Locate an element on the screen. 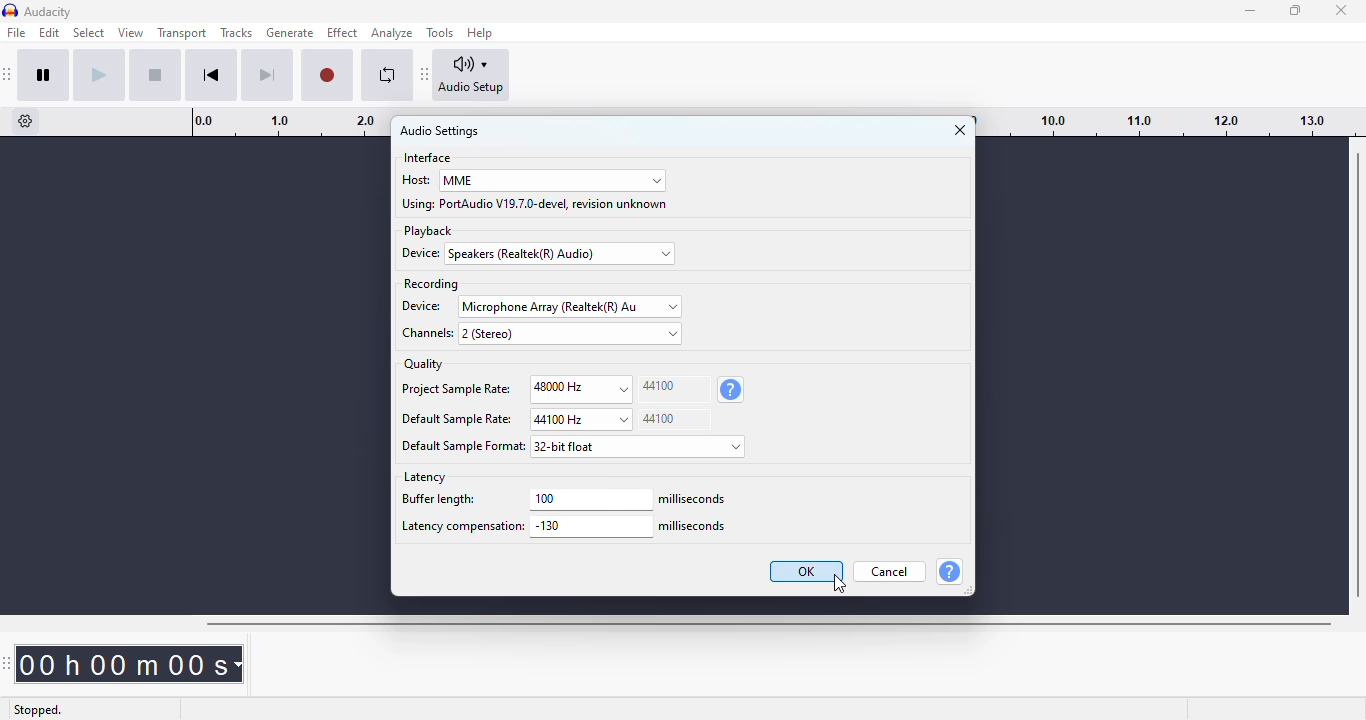 The height and width of the screenshot is (720, 1366). transport is located at coordinates (183, 32).